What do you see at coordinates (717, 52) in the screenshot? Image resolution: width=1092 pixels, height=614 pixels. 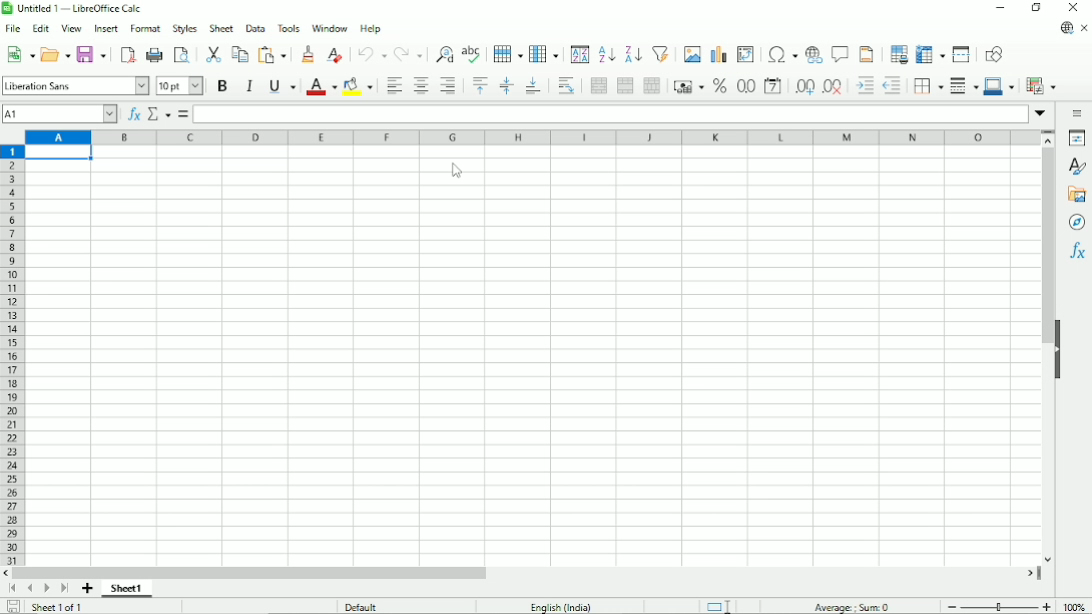 I see `Insert chart` at bounding box center [717, 52].